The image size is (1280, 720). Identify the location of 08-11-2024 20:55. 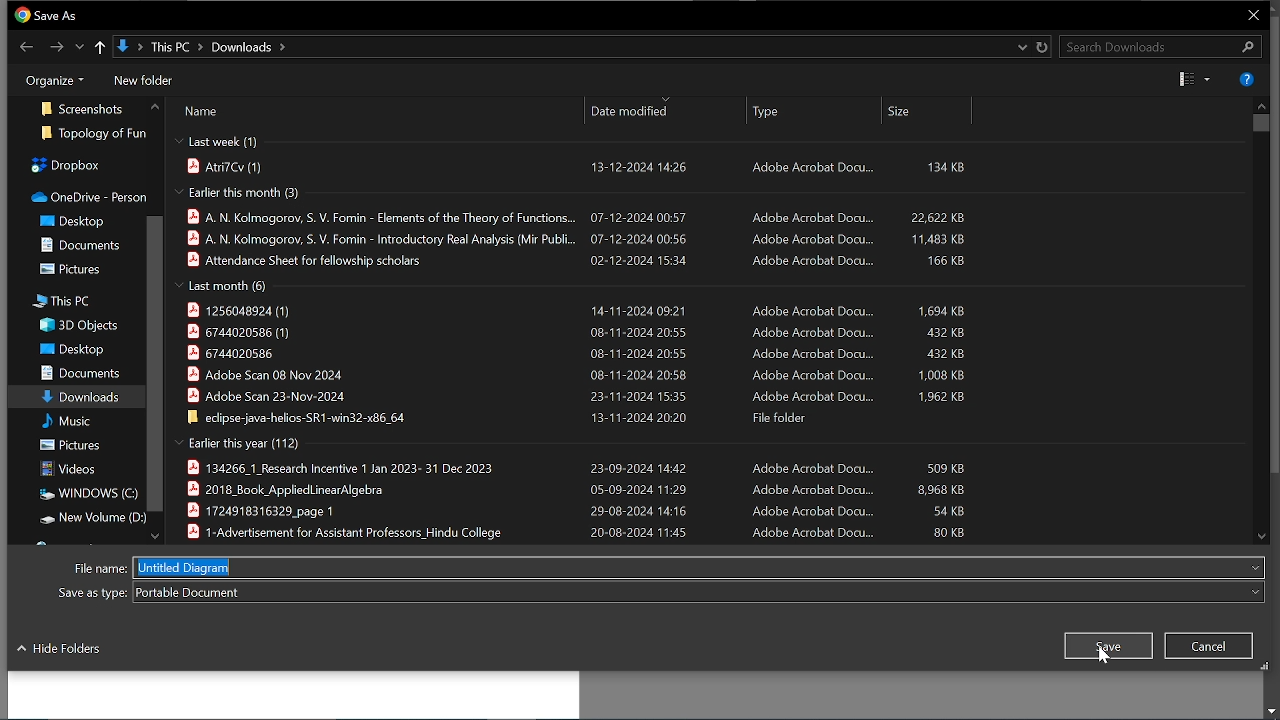
(636, 332).